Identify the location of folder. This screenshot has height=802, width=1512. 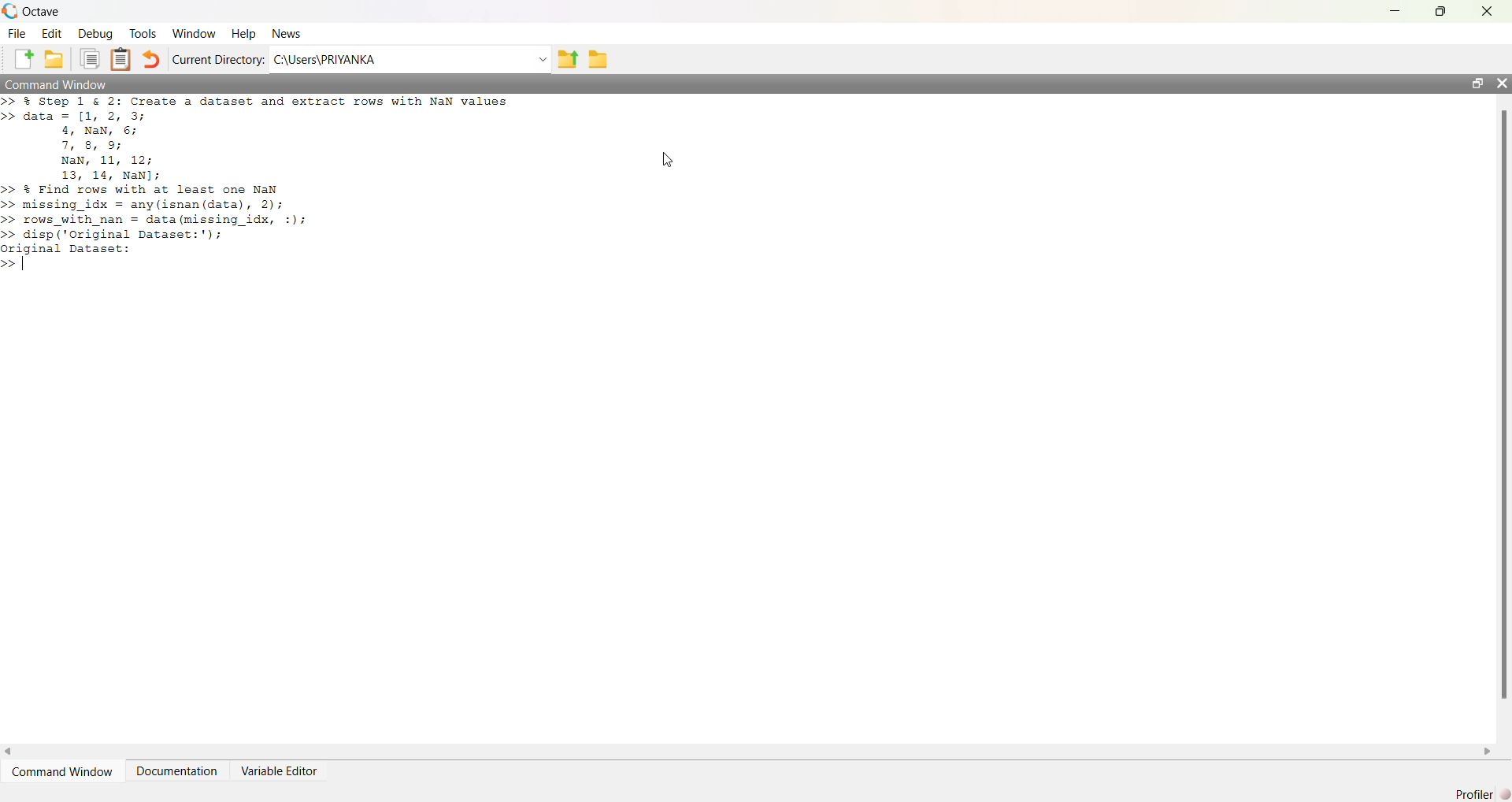
(598, 60).